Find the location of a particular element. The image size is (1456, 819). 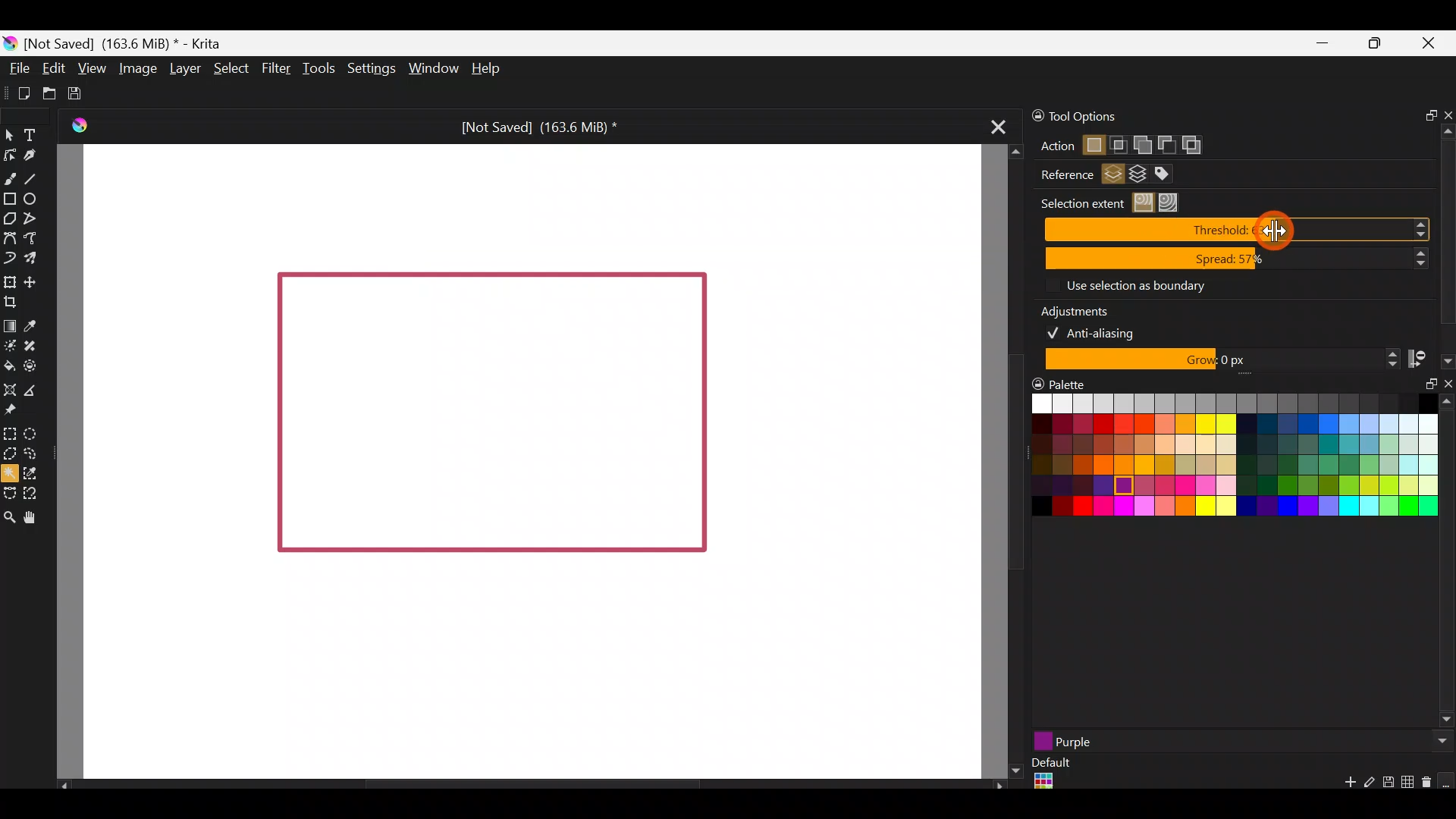

File is located at coordinates (20, 67).